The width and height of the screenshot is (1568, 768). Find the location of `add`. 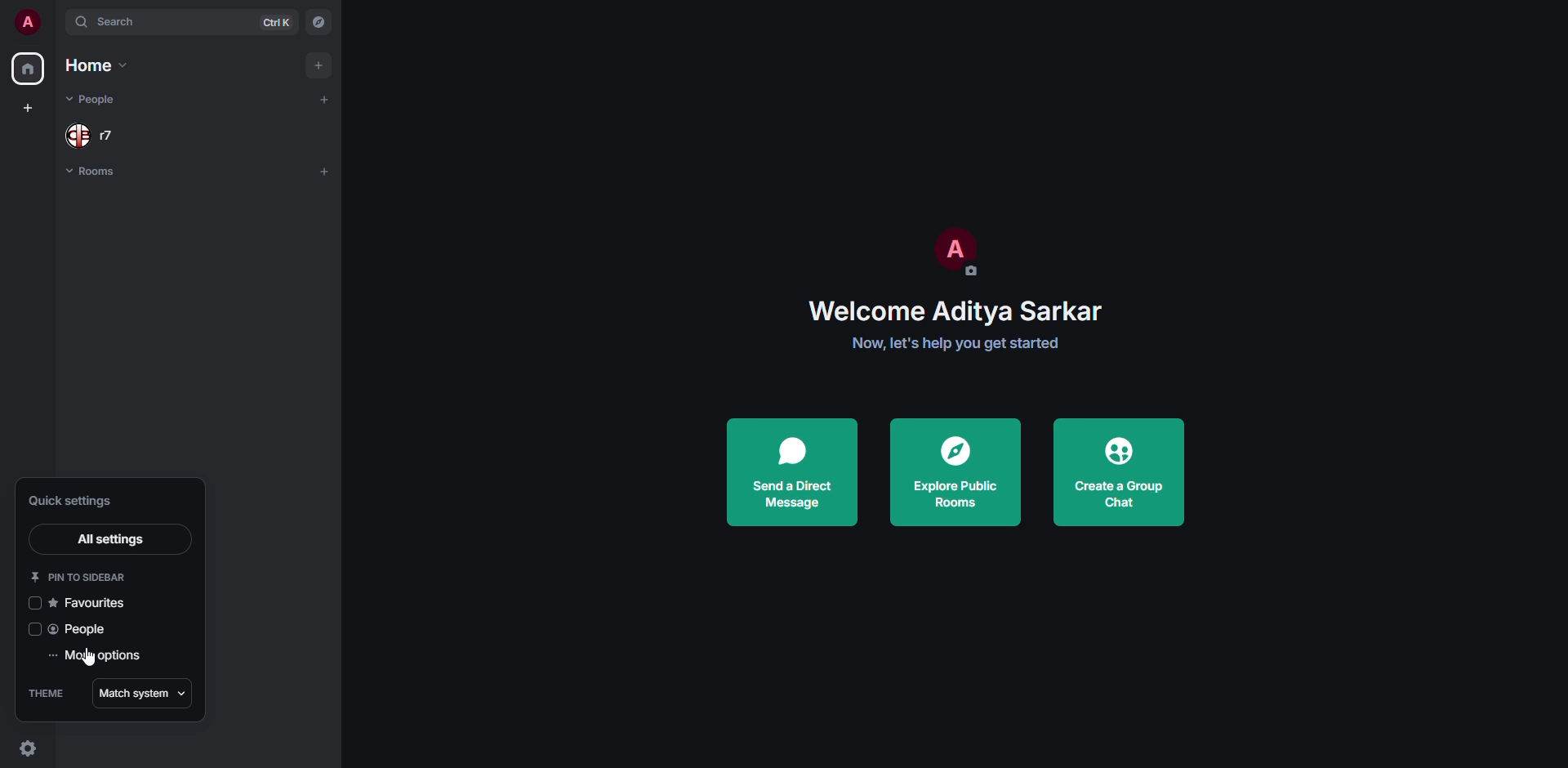

add is located at coordinates (321, 63).